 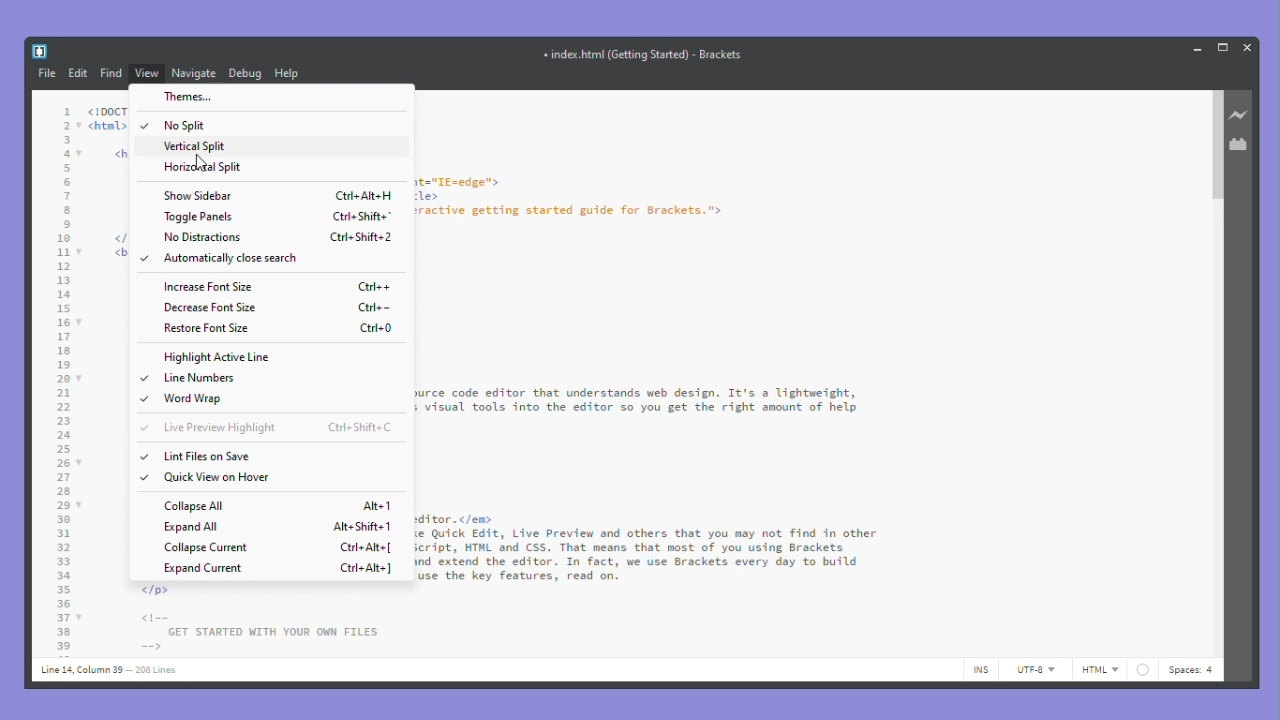 I want to click on 34, so click(x=63, y=575).